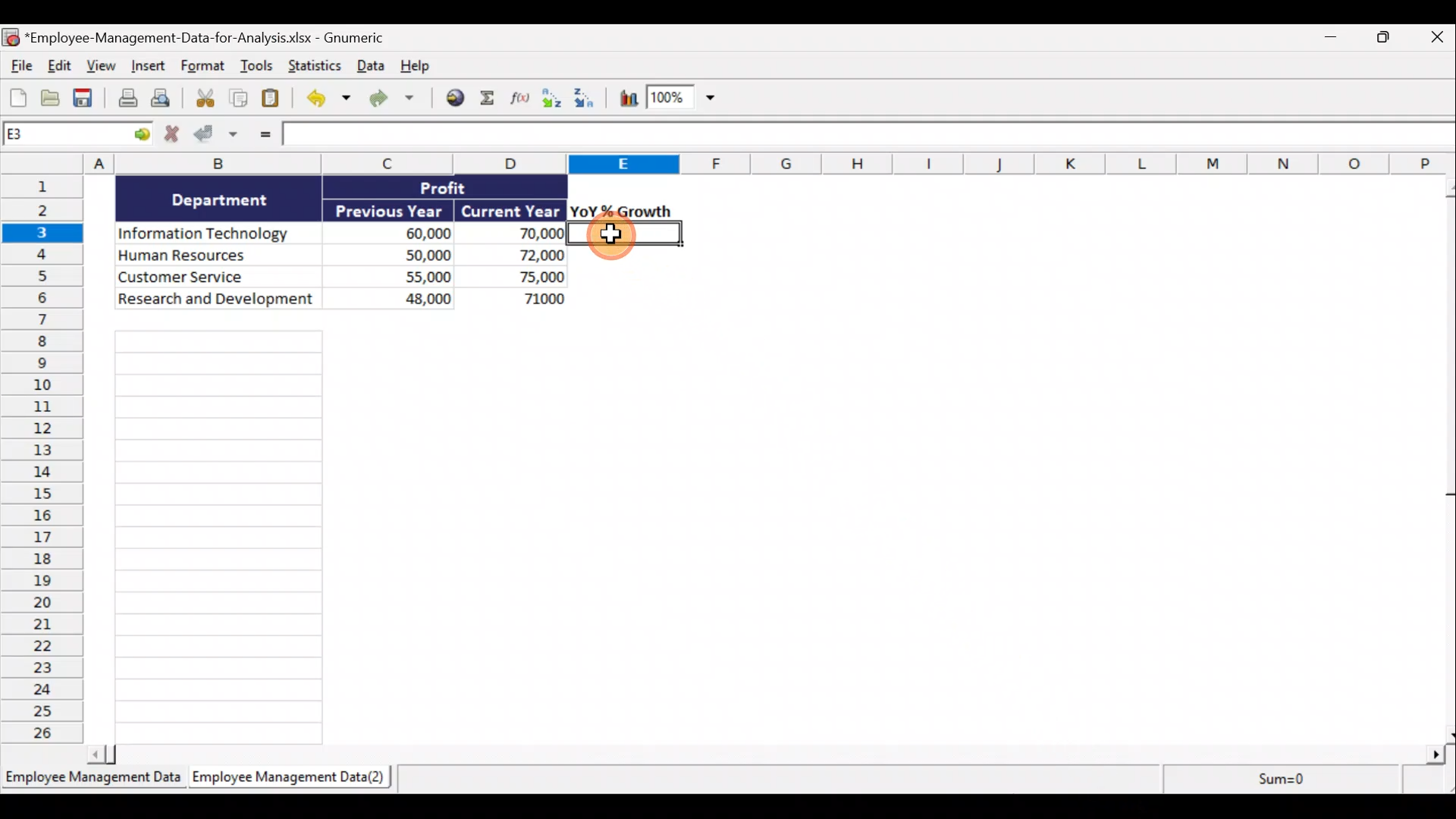  What do you see at coordinates (58, 65) in the screenshot?
I see `Edit` at bounding box center [58, 65].